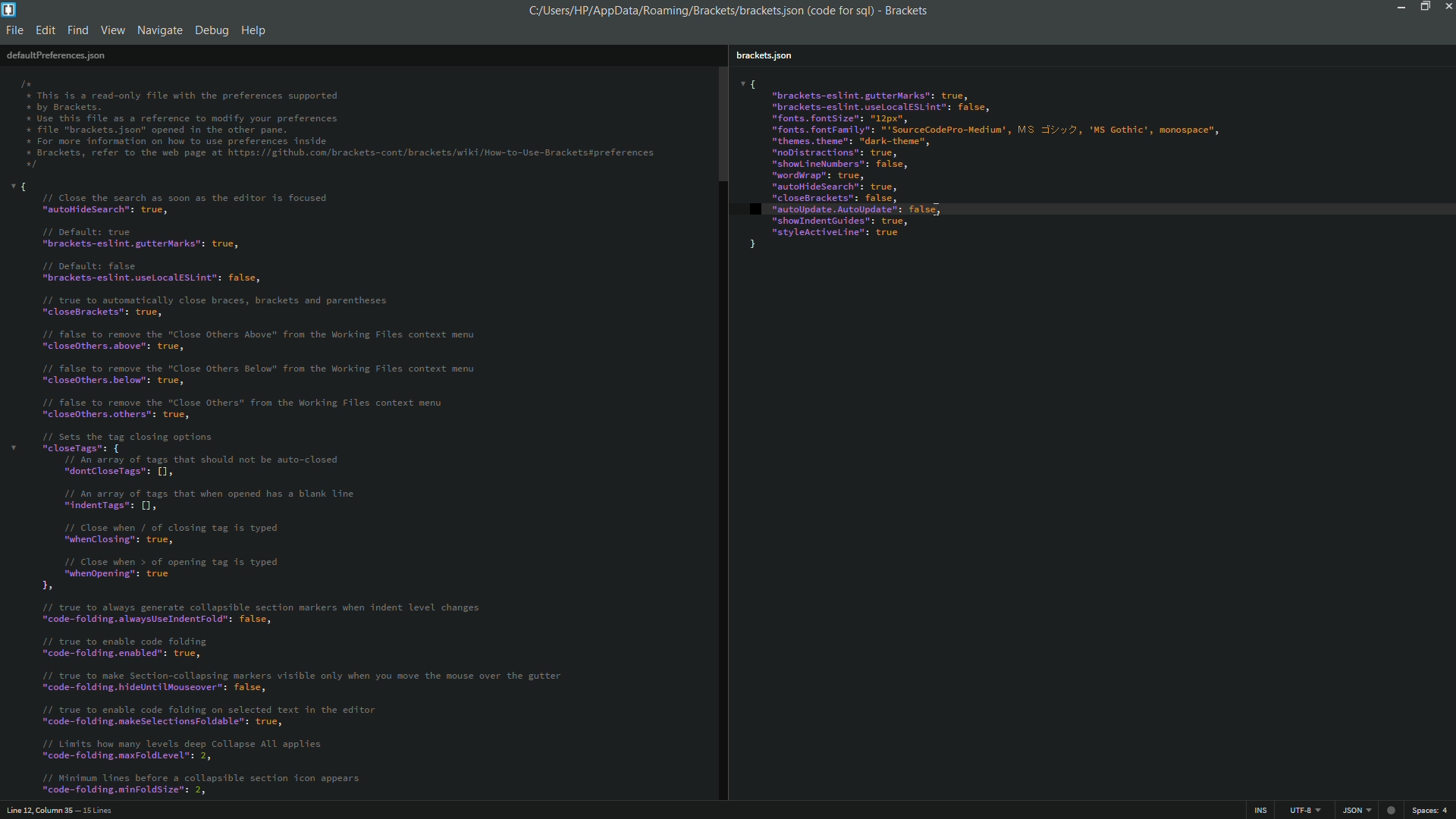 The height and width of the screenshot is (819, 1456). What do you see at coordinates (1423, 7) in the screenshot?
I see `maximize` at bounding box center [1423, 7].